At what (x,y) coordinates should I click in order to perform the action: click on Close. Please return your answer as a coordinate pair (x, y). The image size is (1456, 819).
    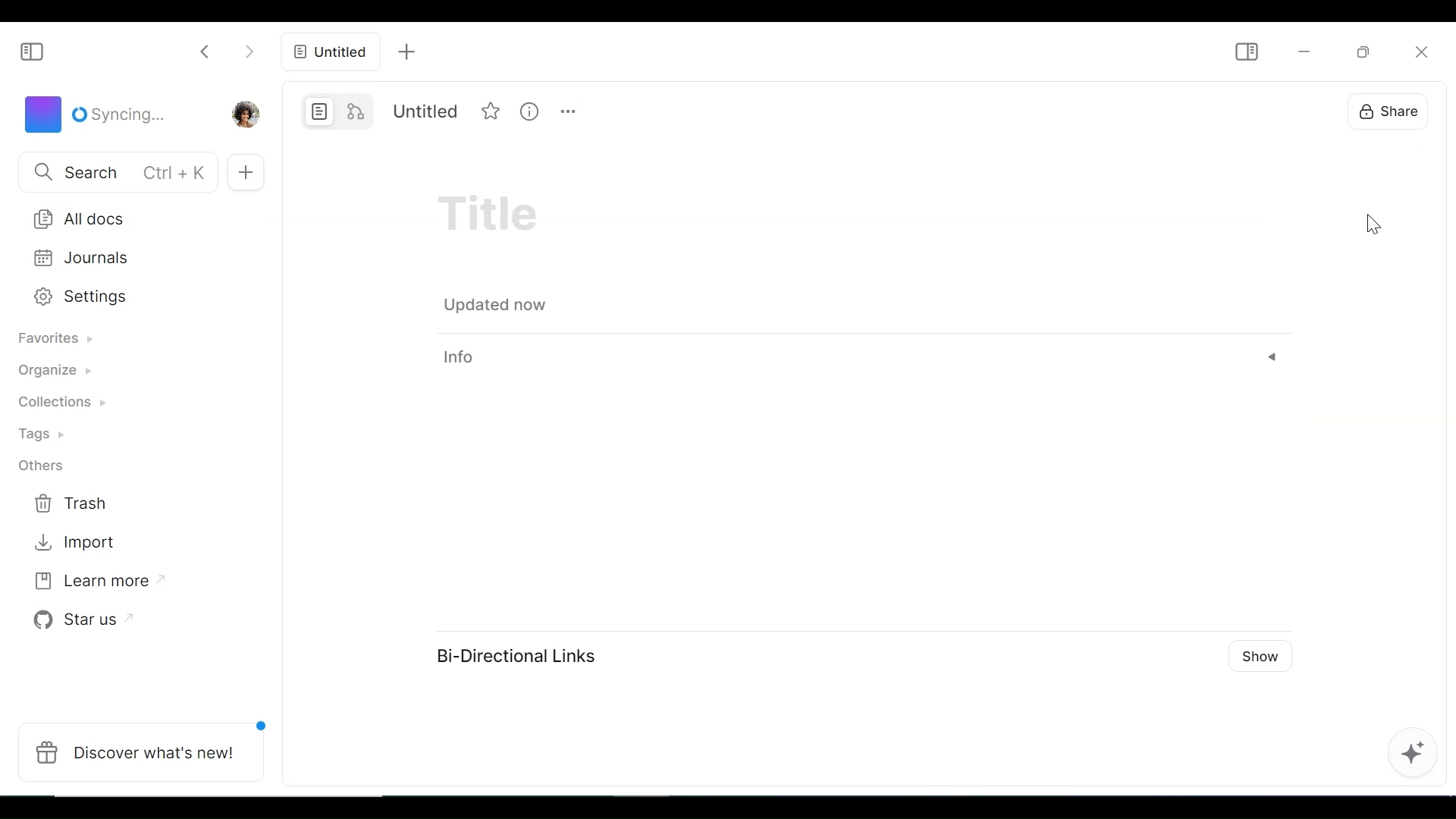
    Looking at the image, I should click on (1421, 49).